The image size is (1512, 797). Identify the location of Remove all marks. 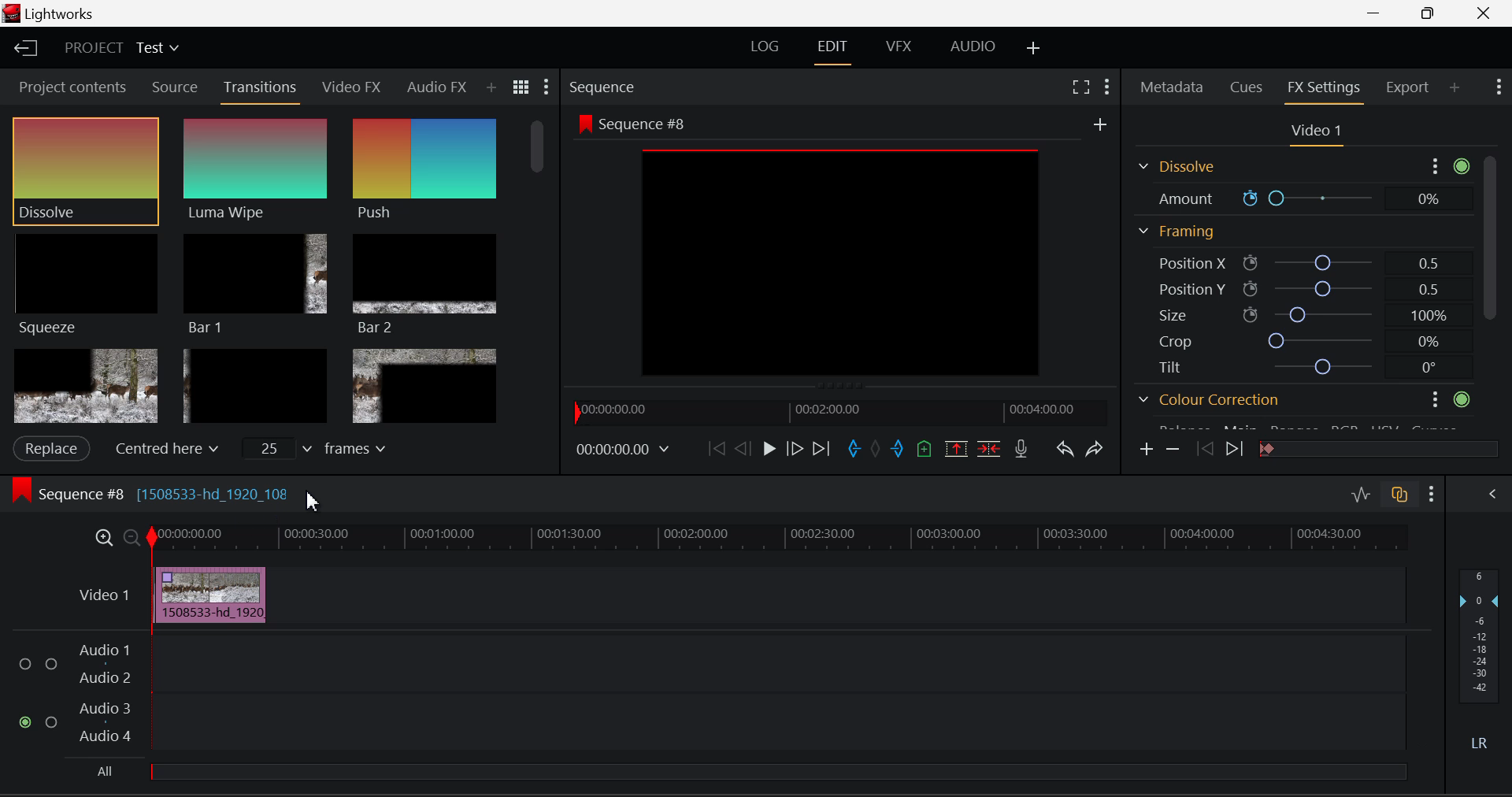
(875, 449).